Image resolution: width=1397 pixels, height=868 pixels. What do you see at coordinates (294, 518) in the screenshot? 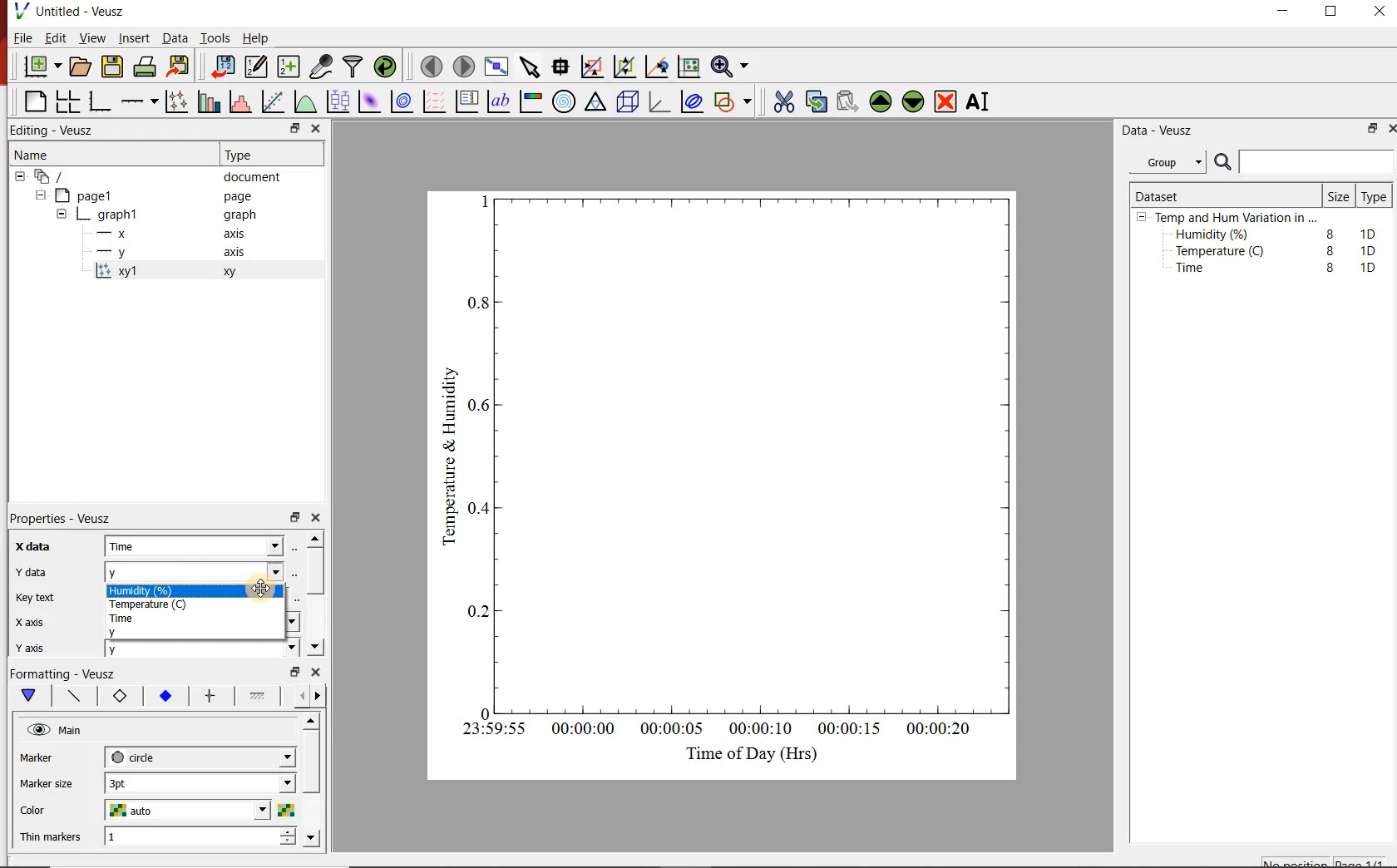
I see `restore down` at bounding box center [294, 518].